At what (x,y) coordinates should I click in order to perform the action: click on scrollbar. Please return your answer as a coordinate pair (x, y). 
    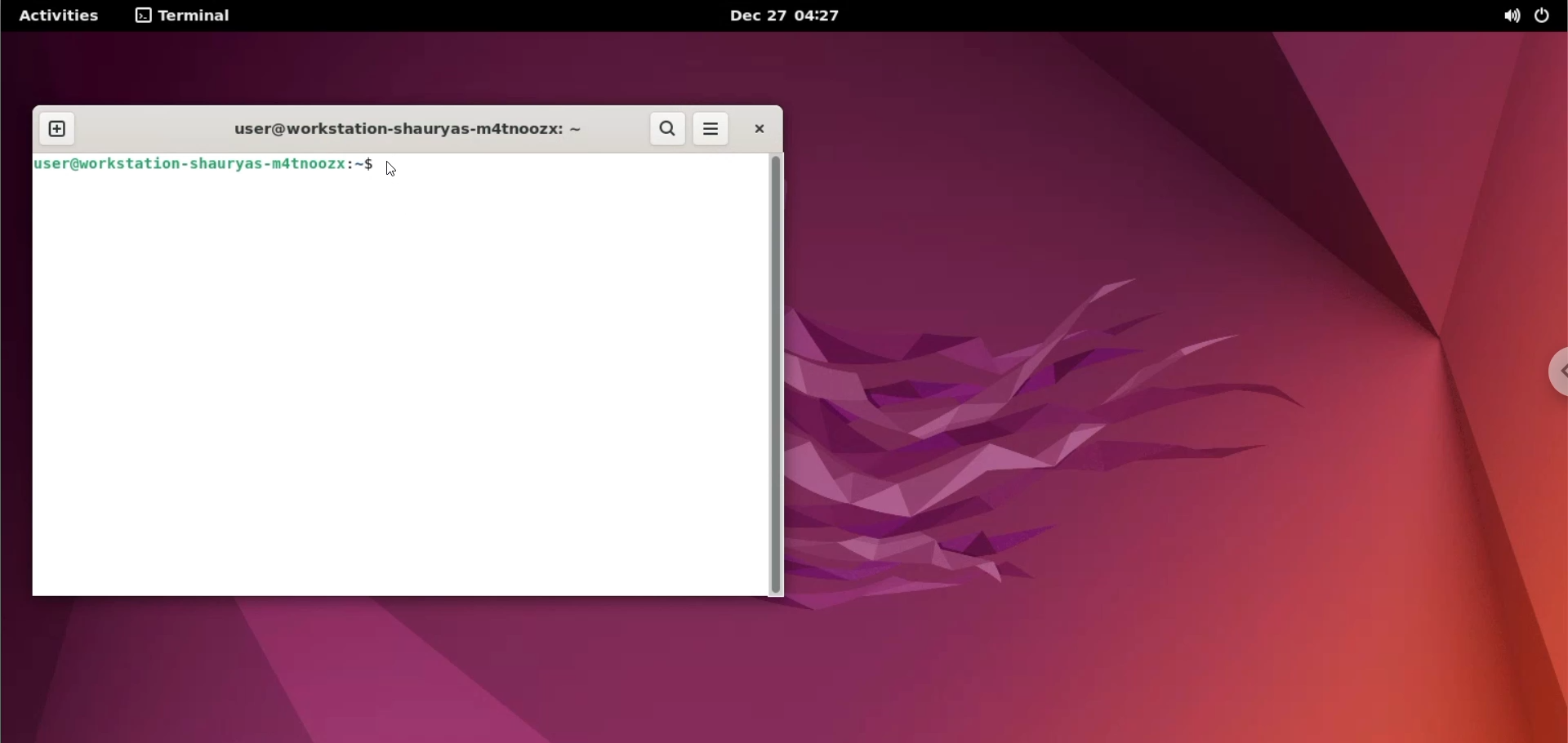
    Looking at the image, I should click on (776, 374).